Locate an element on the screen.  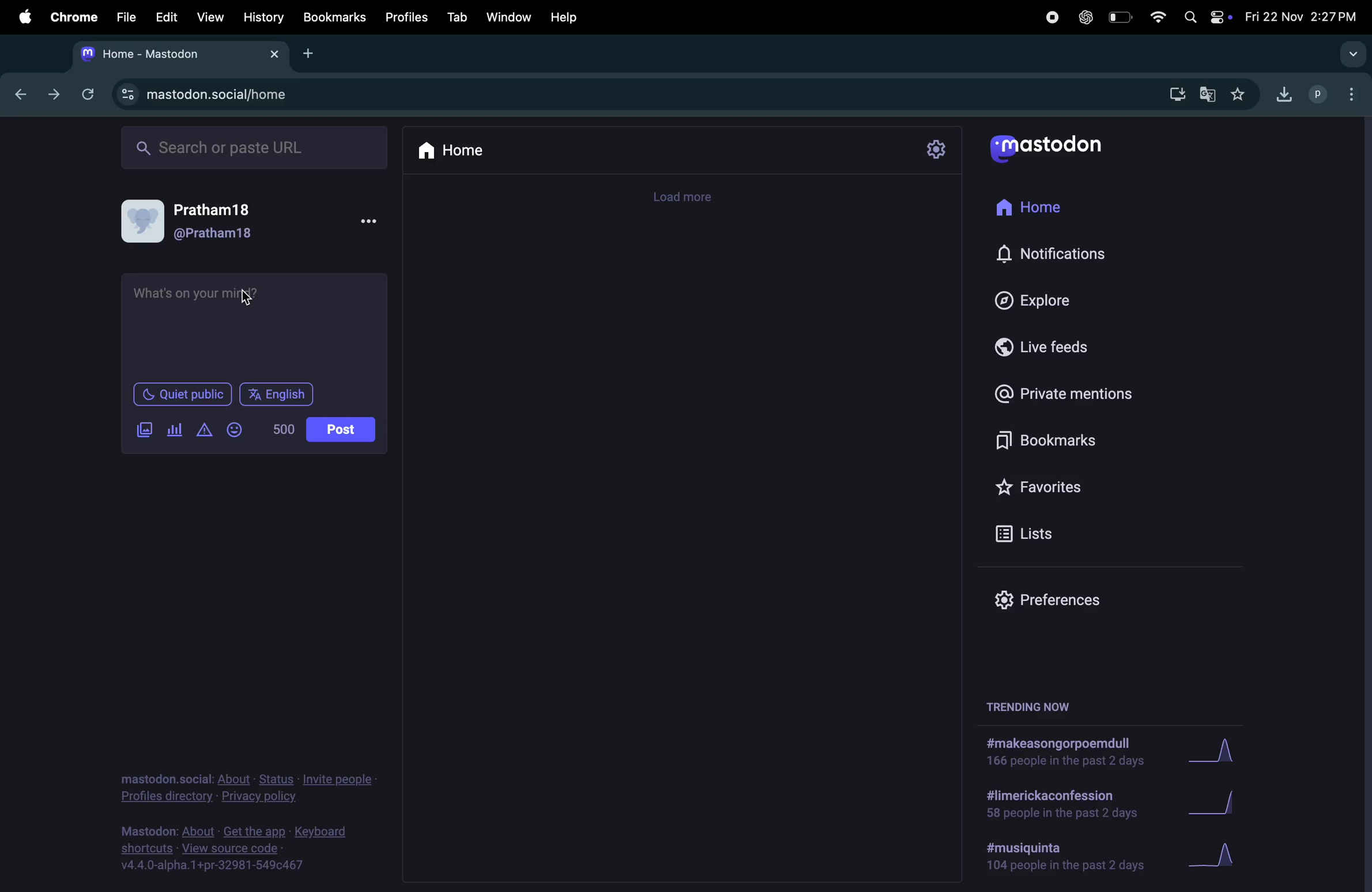
settings is located at coordinates (937, 150).